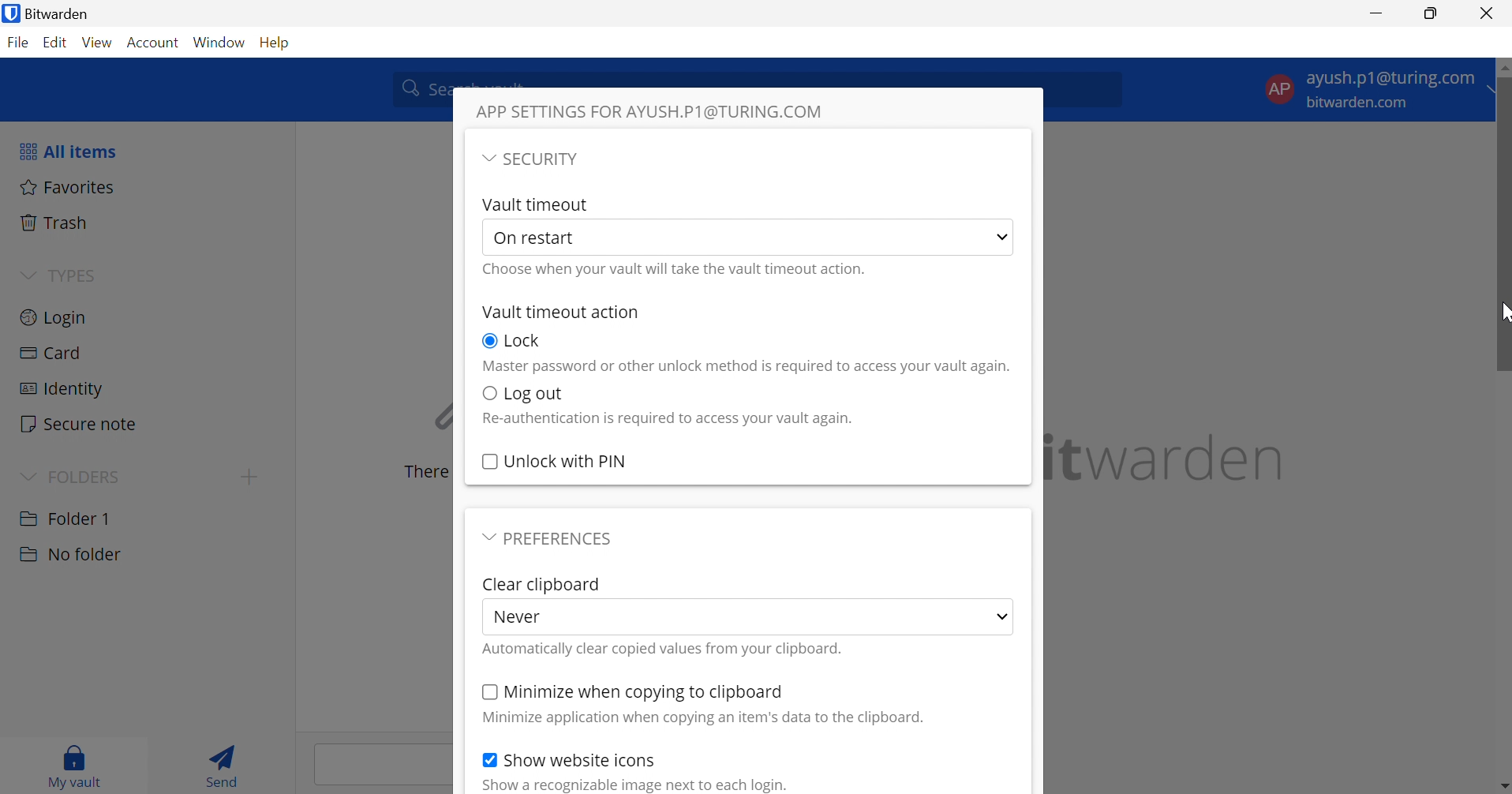 The width and height of the screenshot is (1512, 794). What do you see at coordinates (559, 313) in the screenshot?
I see `Vault Timeout Action` at bounding box center [559, 313].